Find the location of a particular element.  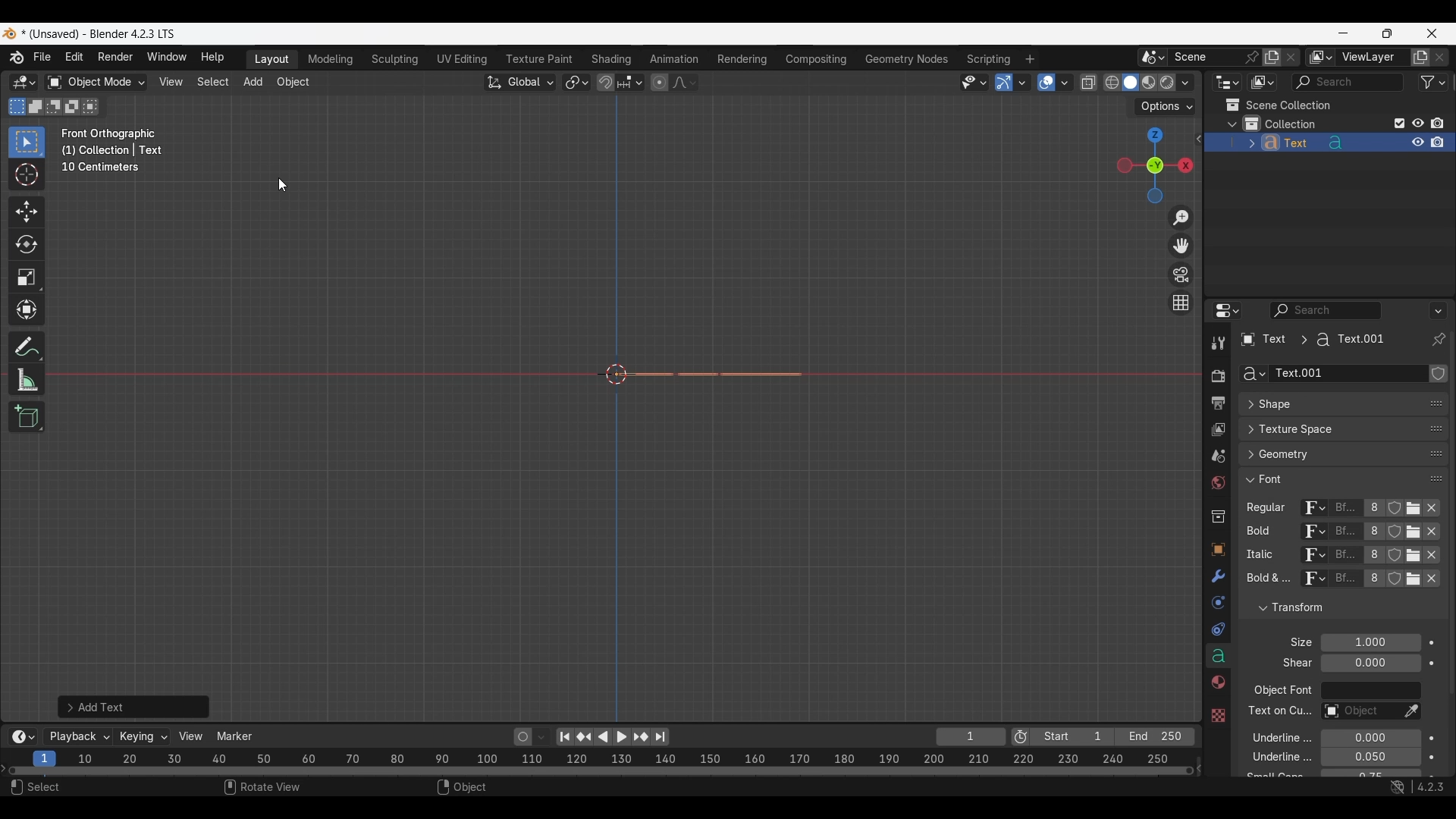

text is located at coordinates (1272, 776).